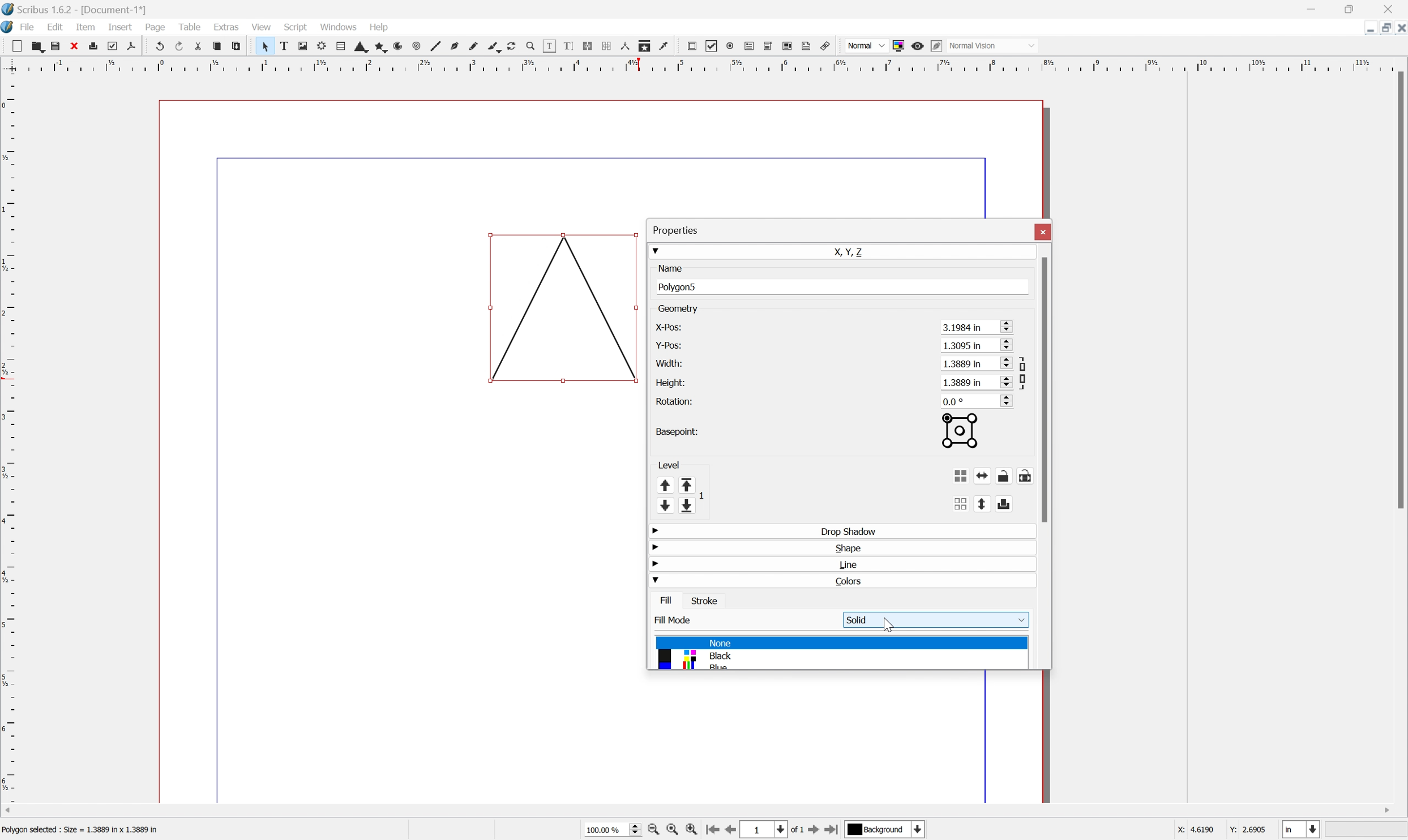 The height and width of the screenshot is (840, 1408). What do you see at coordinates (1313, 7) in the screenshot?
I see `Minimize` at bounding box center [1313, 7].